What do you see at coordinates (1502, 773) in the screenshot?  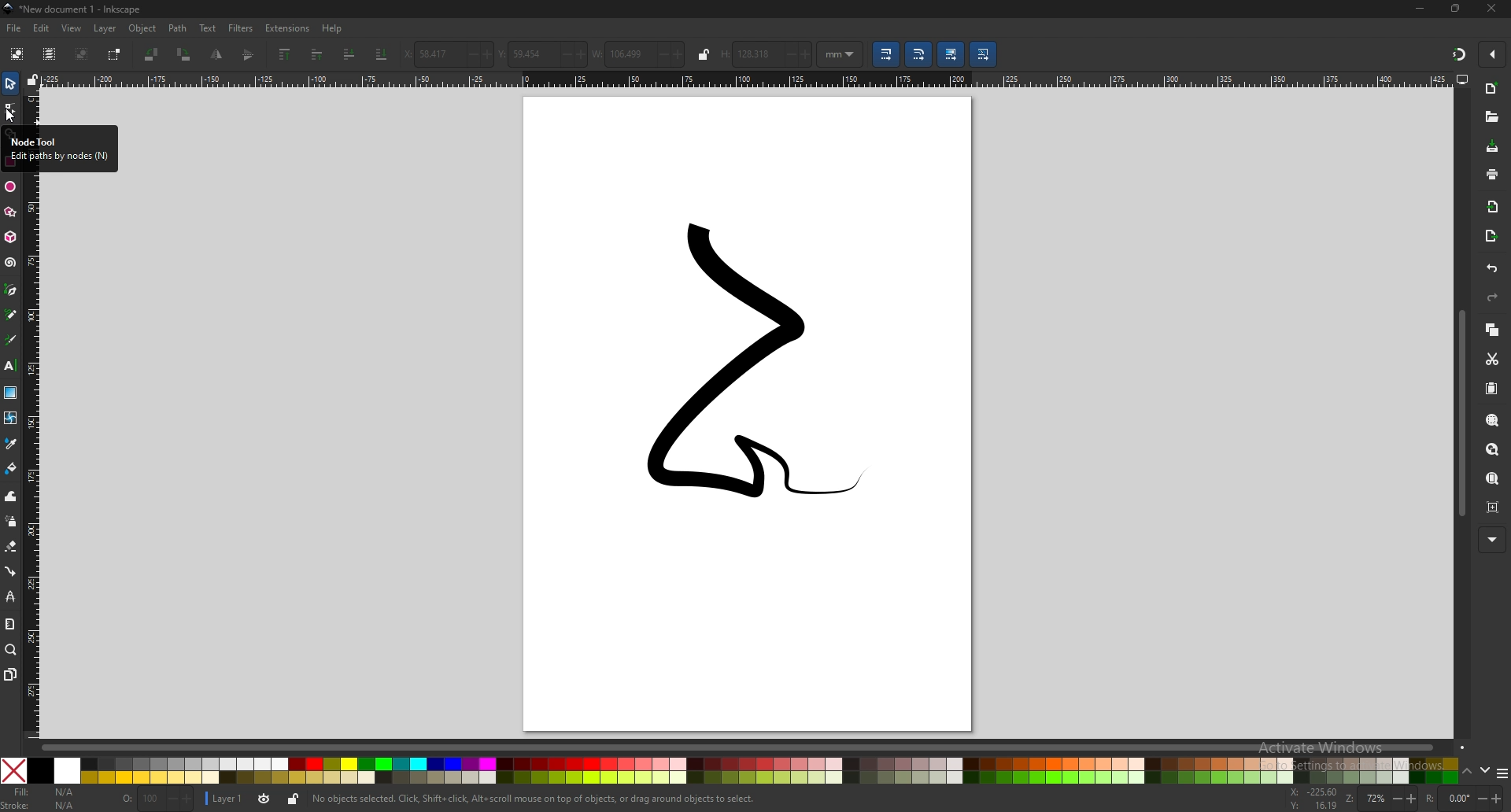 I see `options` at bounding box center [1502, 773].